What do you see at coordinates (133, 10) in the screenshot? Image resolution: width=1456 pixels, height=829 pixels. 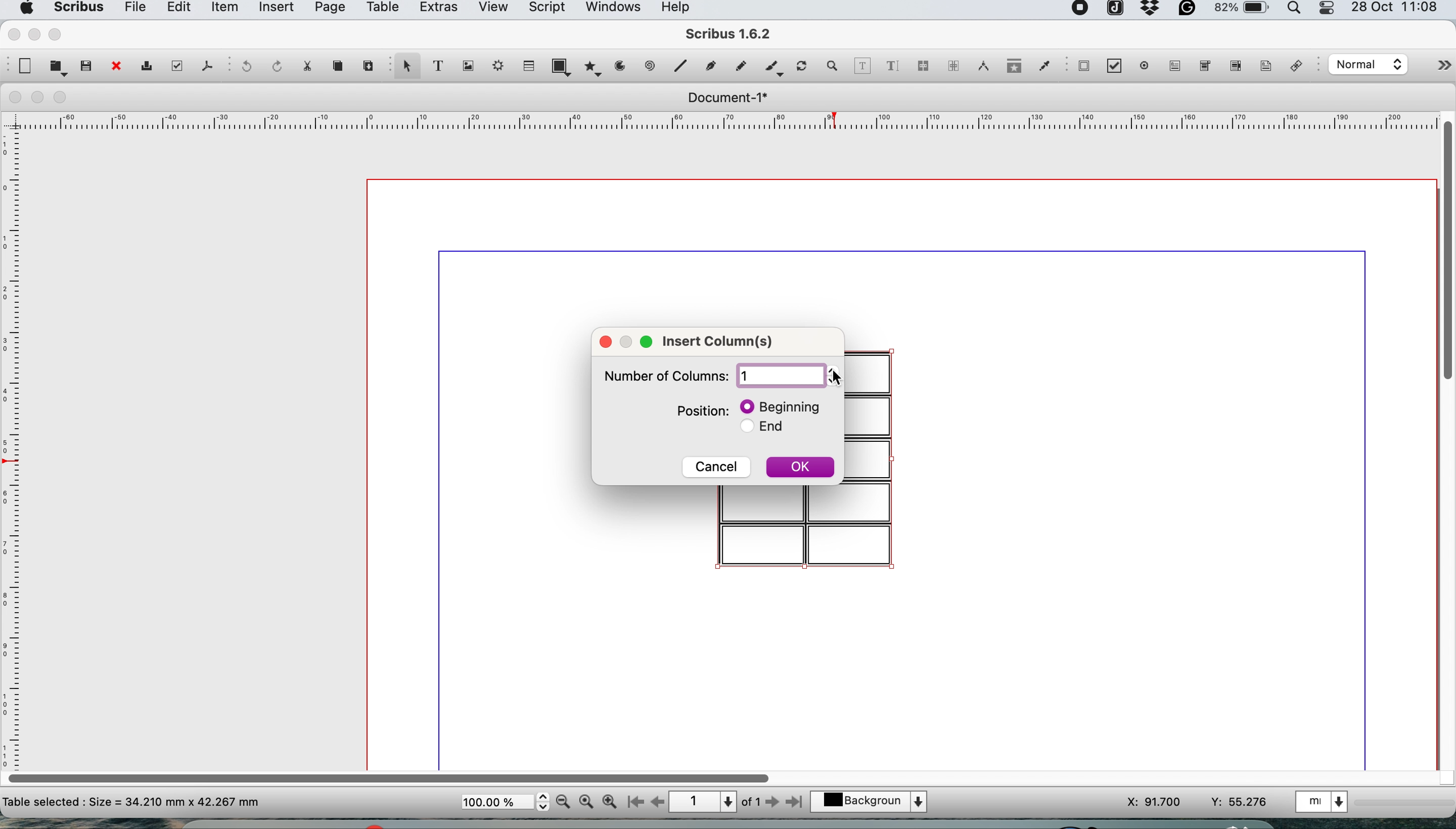 I see `file` at bounding box center [133, 10].